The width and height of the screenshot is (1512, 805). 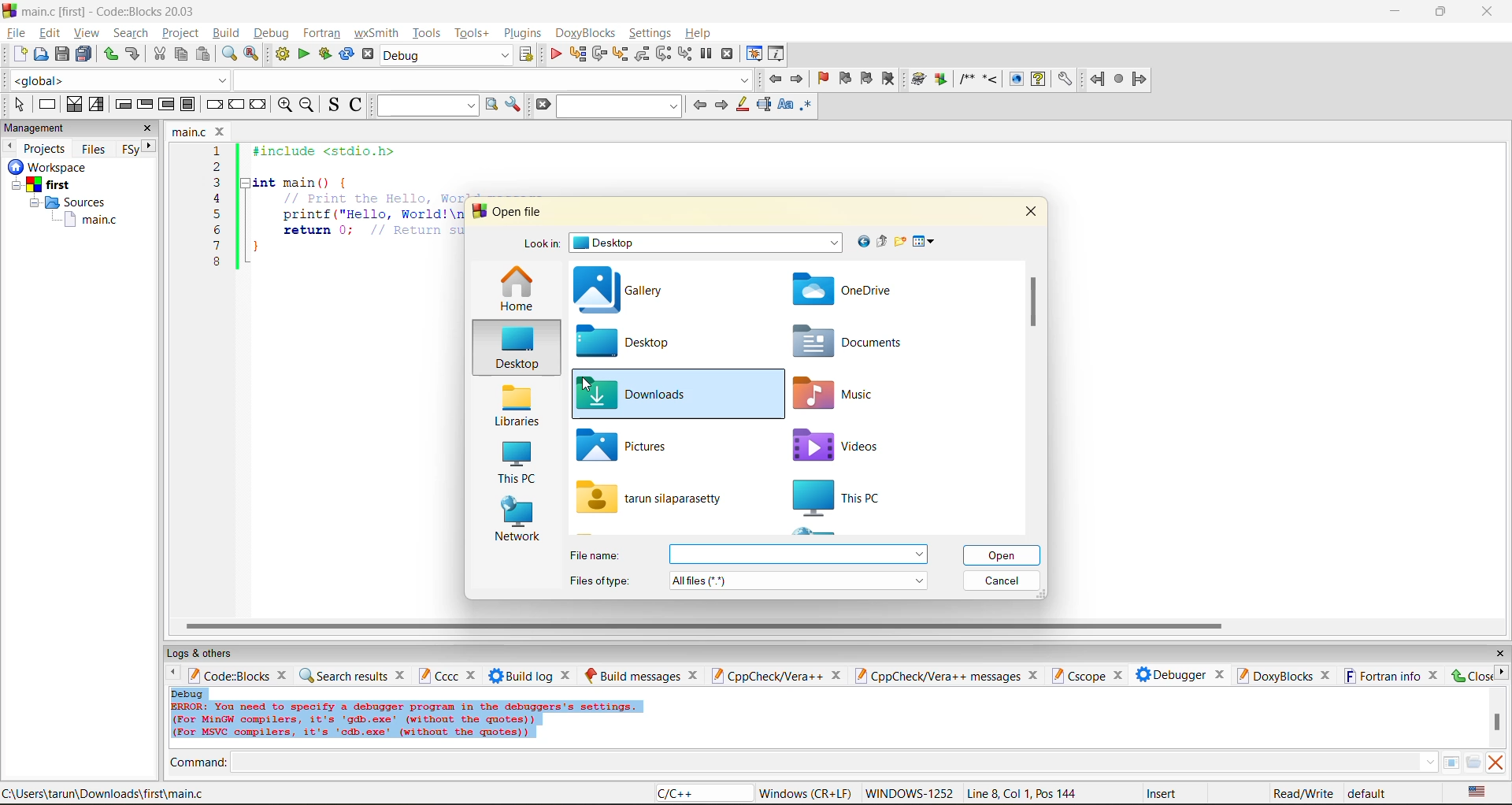 I want to click on stop debugger, so click(x=728, y=54).